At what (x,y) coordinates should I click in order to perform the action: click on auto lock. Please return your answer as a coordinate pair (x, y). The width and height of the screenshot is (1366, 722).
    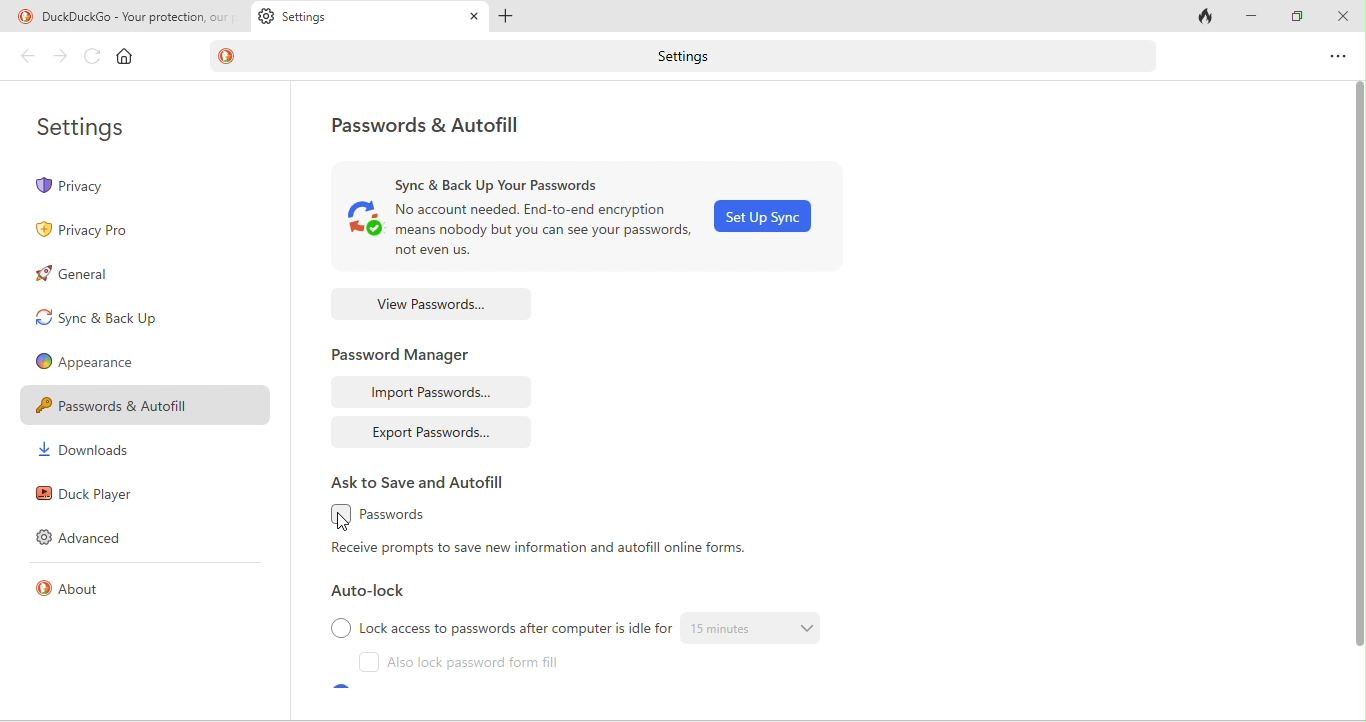
    Looking at the image, I should click on (376, 595).